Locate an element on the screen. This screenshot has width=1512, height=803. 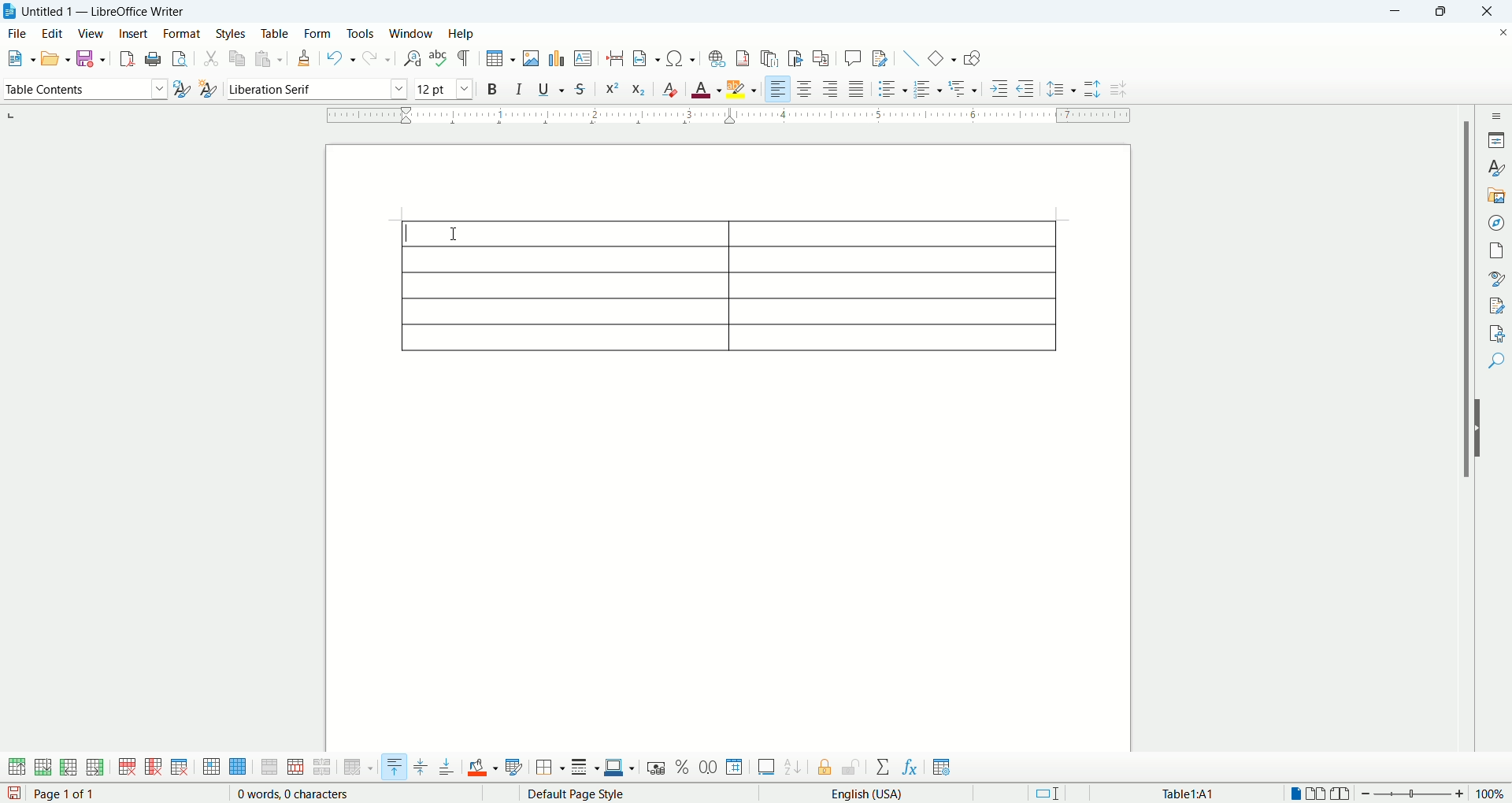
ordered list is located at coordinates (926, 88).